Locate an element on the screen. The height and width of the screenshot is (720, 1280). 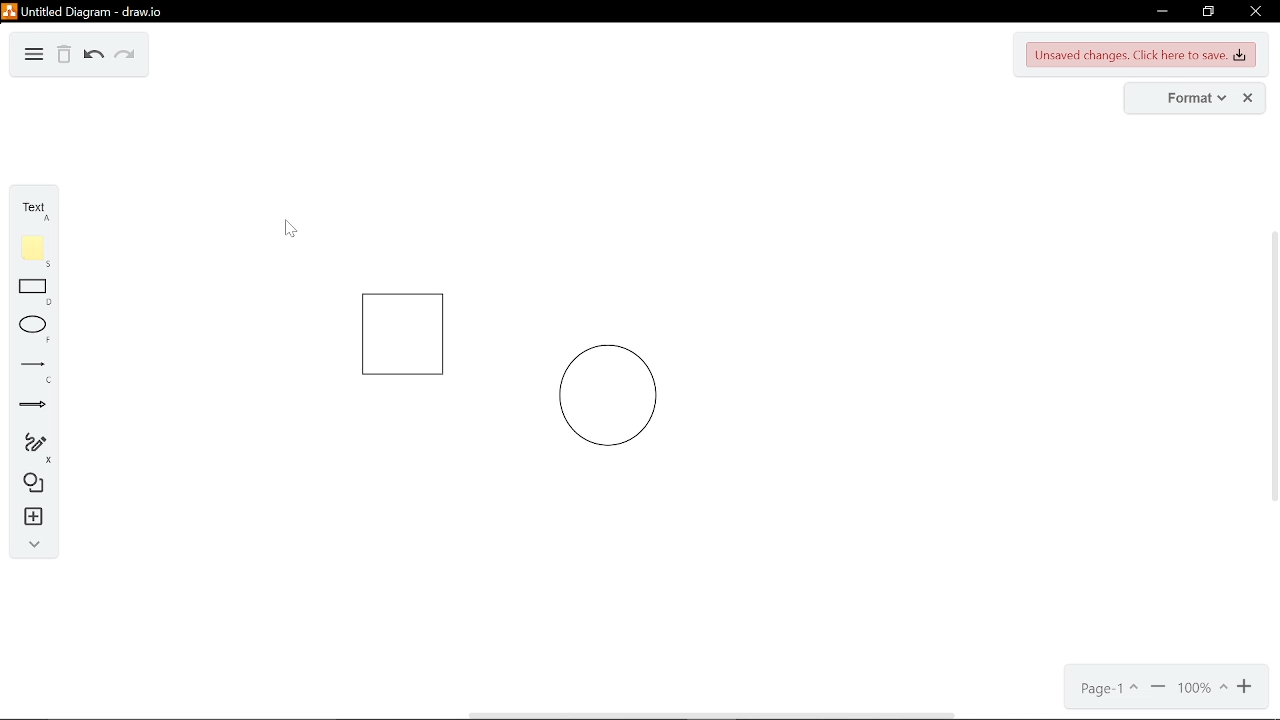
untitled diagram - draw.io is located at coordinates (94, 10).